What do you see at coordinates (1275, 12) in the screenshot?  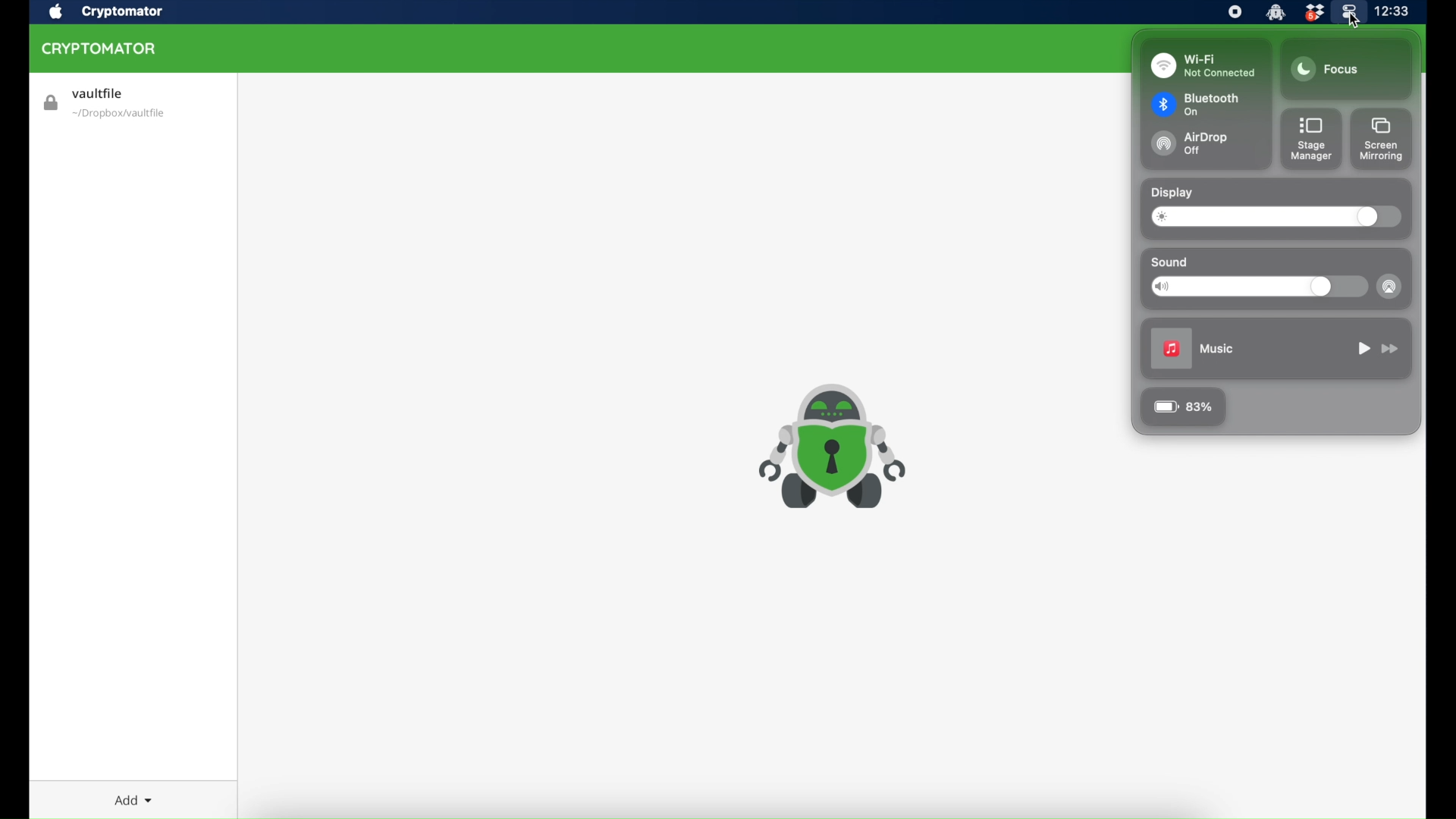 I see `cryptomator icon` at bounding box center [1275, 12].